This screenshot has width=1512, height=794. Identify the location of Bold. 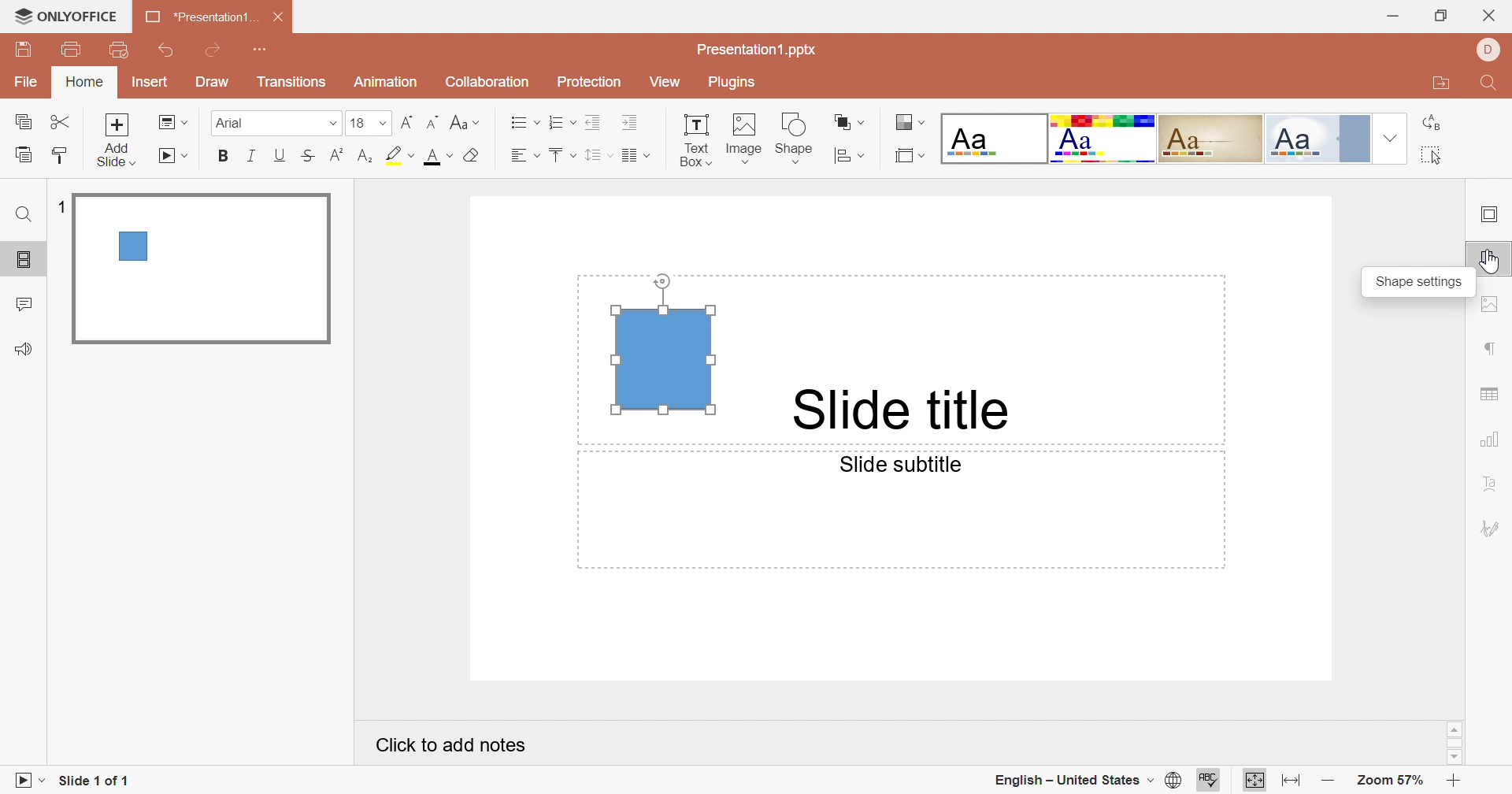
(224, 157).